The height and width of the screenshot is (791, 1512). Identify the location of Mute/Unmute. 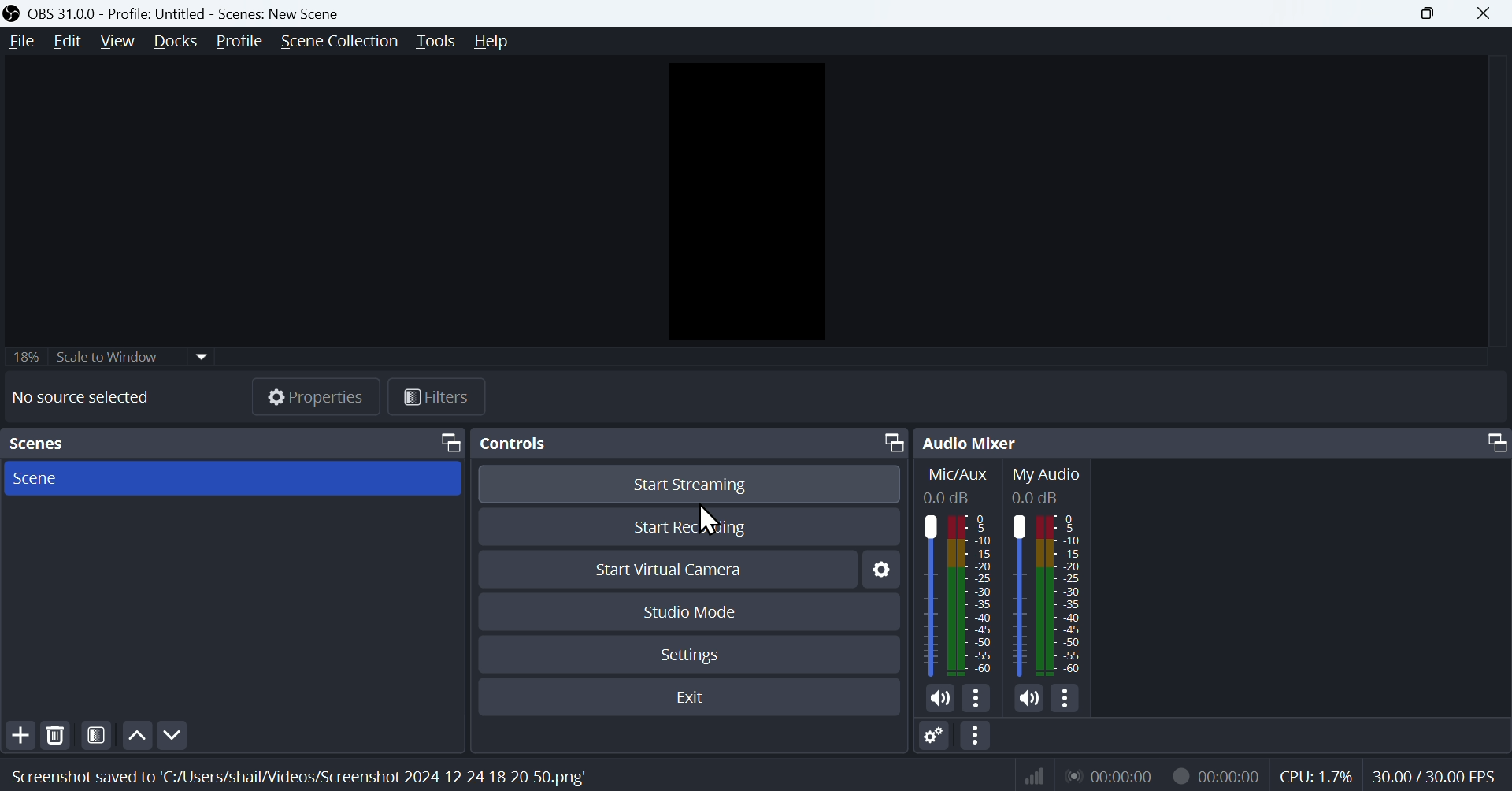
(1025, 698).